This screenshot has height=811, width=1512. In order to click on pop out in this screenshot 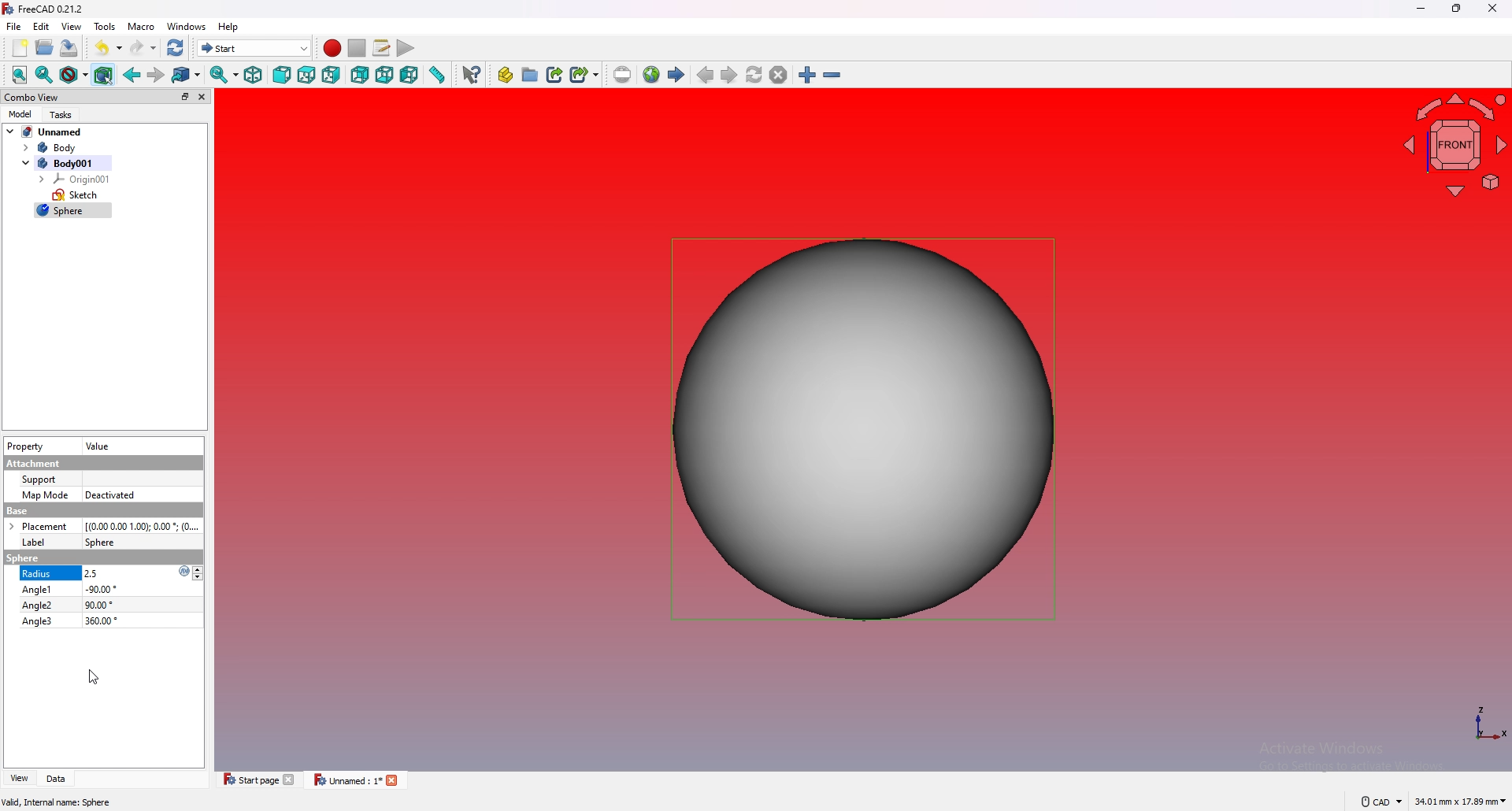, I will do `click(183, 96)`.